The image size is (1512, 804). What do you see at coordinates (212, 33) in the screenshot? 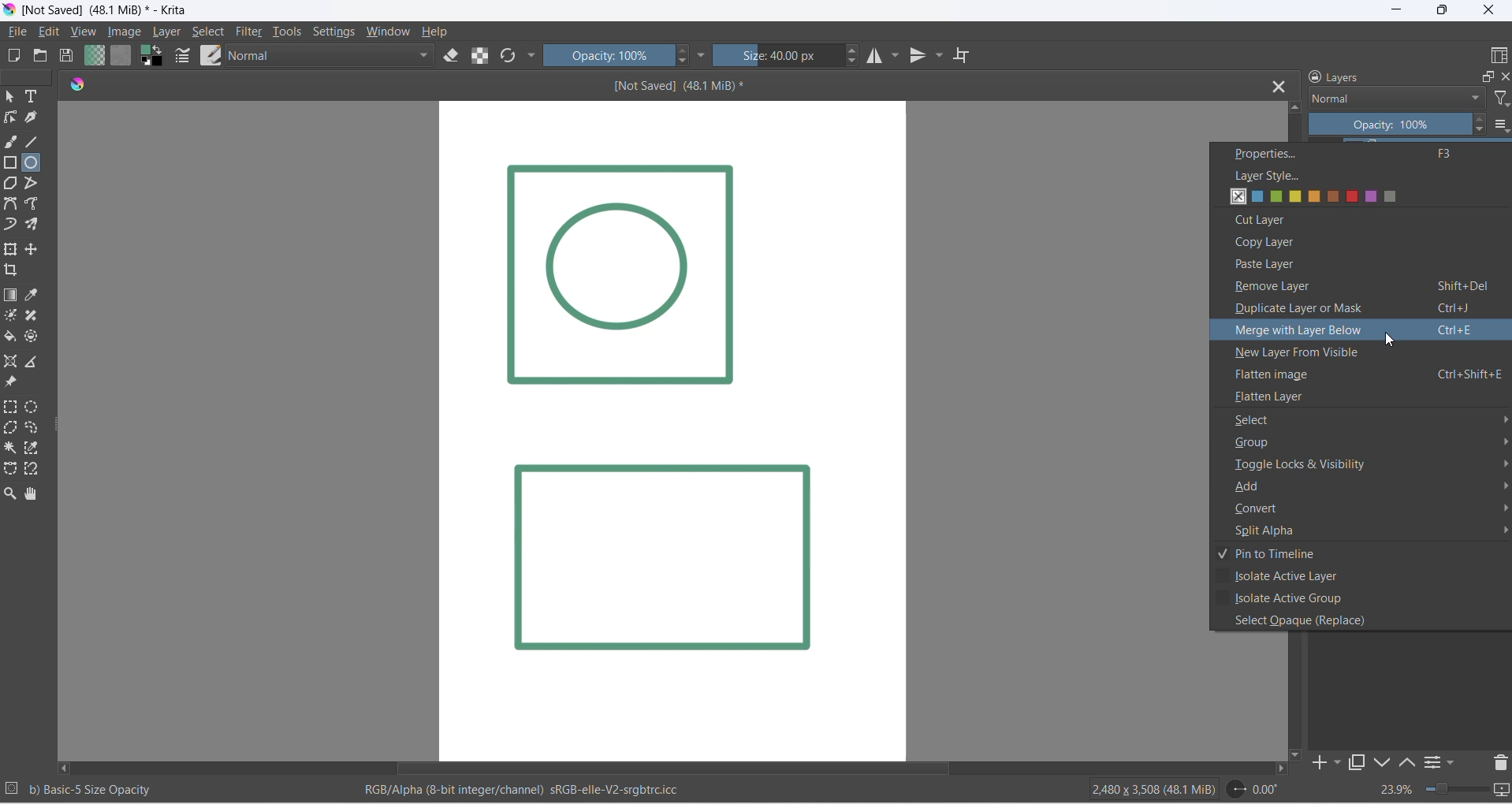
I see `select` at bounding box center [212, 33].